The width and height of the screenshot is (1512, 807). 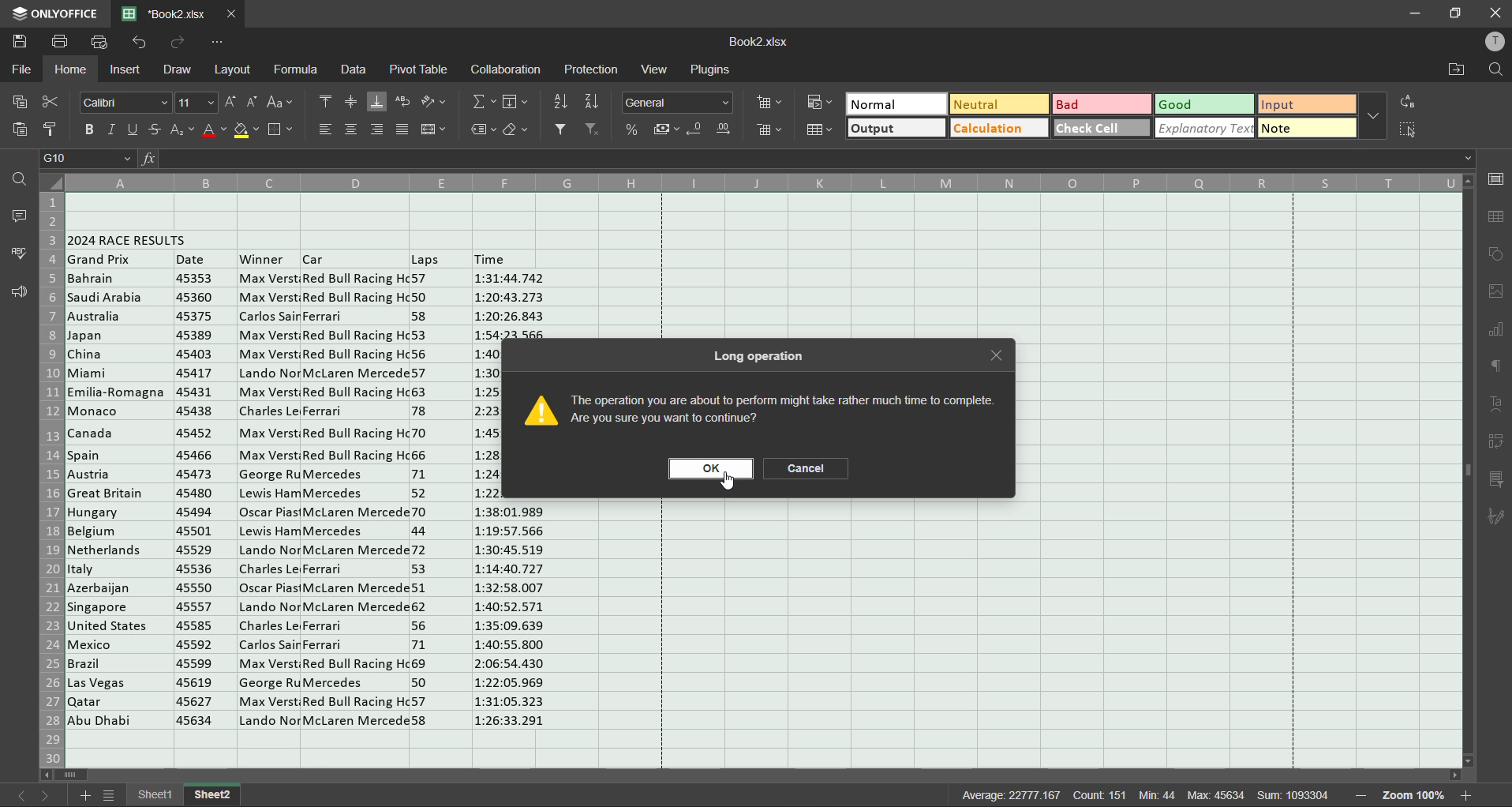 What do you see at coordinates (1496, 293) in the screenshot?
I see `images` at bounding box center [1496, 293].